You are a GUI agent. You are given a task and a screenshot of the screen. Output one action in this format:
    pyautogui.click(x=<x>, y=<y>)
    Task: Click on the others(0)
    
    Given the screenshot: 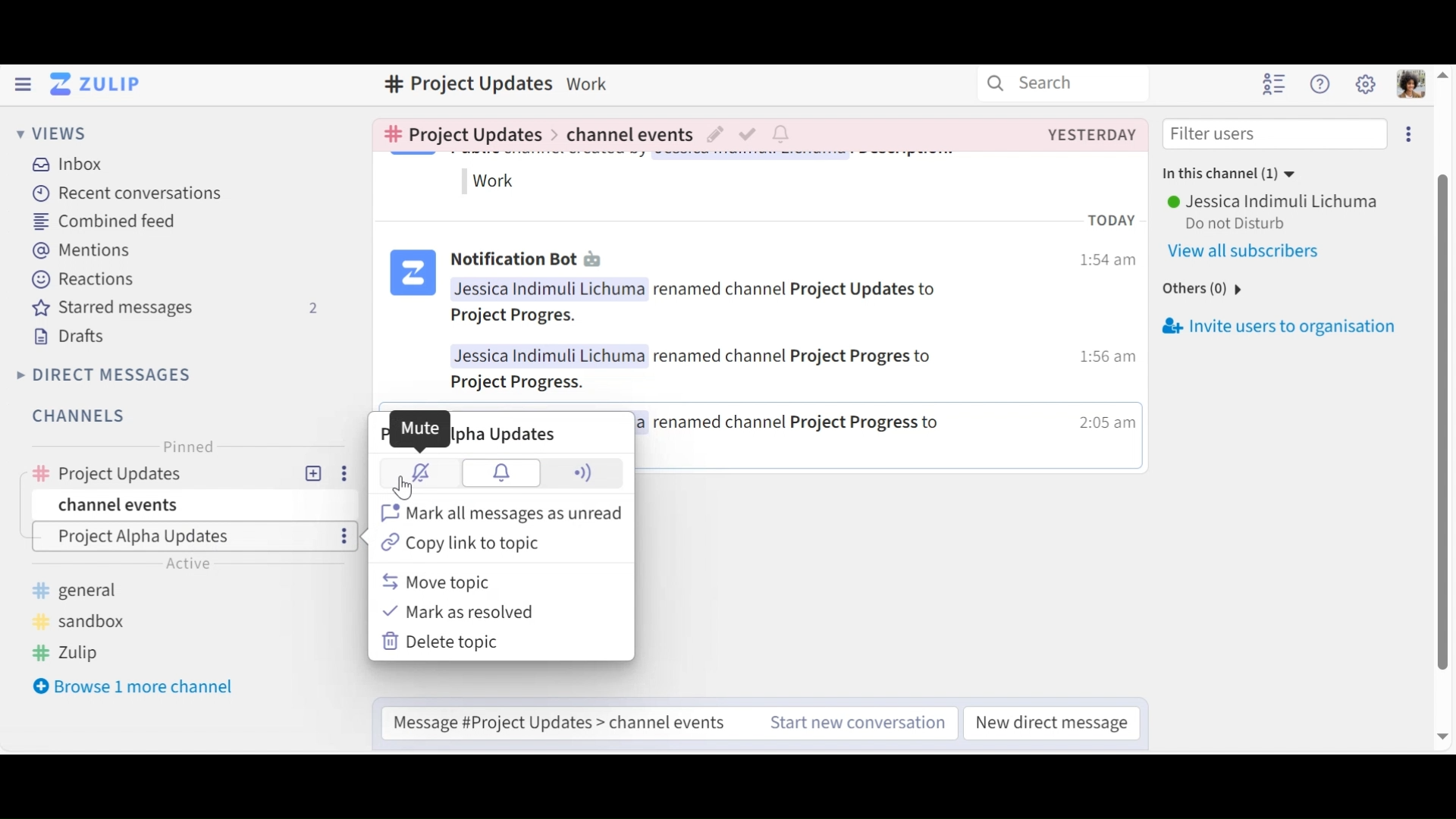 What is the action you would take?
    pyautogui.click(x=1197, y=290)
    